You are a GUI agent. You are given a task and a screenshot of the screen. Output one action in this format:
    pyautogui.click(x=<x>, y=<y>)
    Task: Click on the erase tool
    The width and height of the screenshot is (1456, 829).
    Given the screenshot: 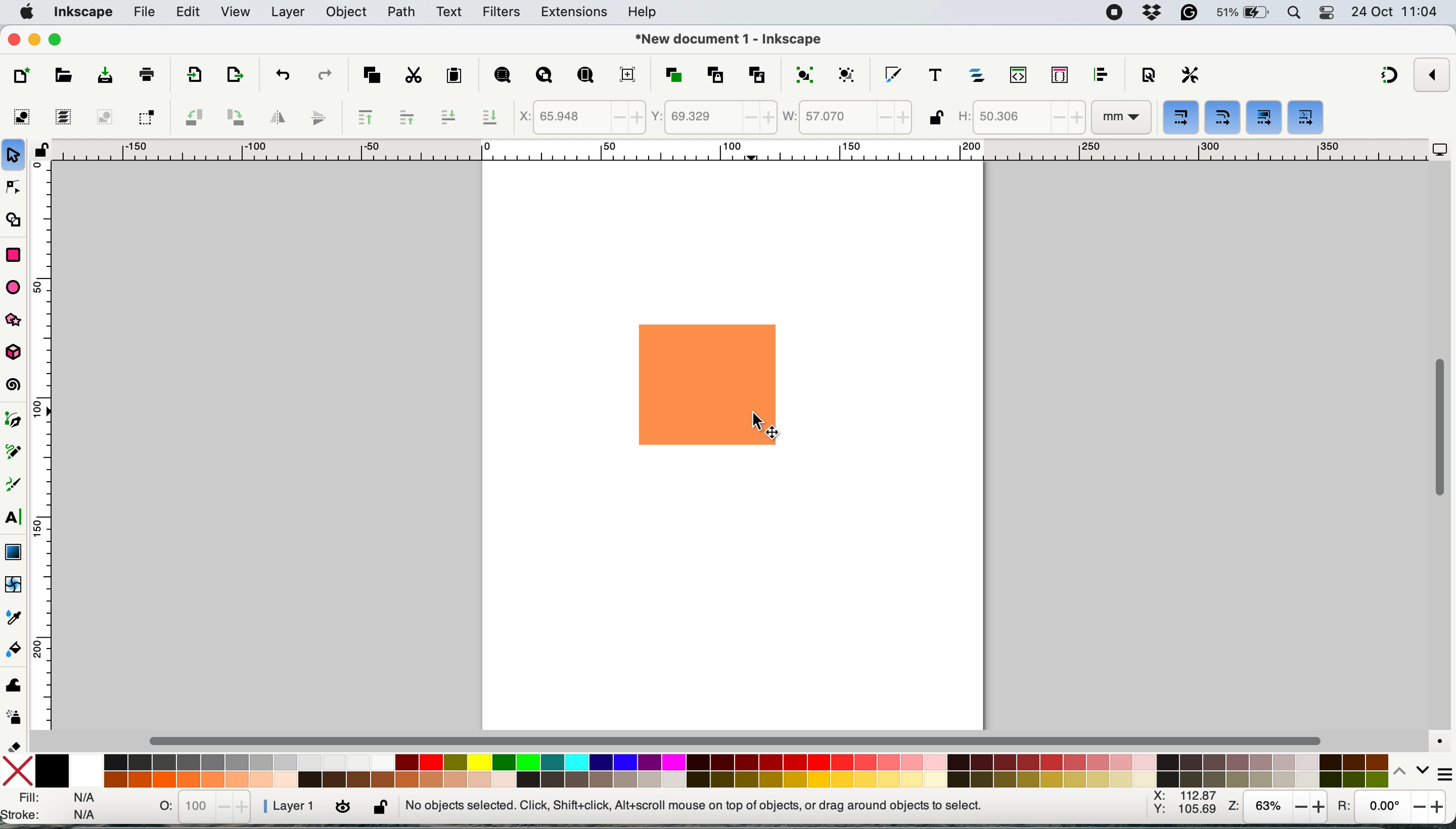 What is the action you would take?
    pyautogui.click(x=16, y=746)
    